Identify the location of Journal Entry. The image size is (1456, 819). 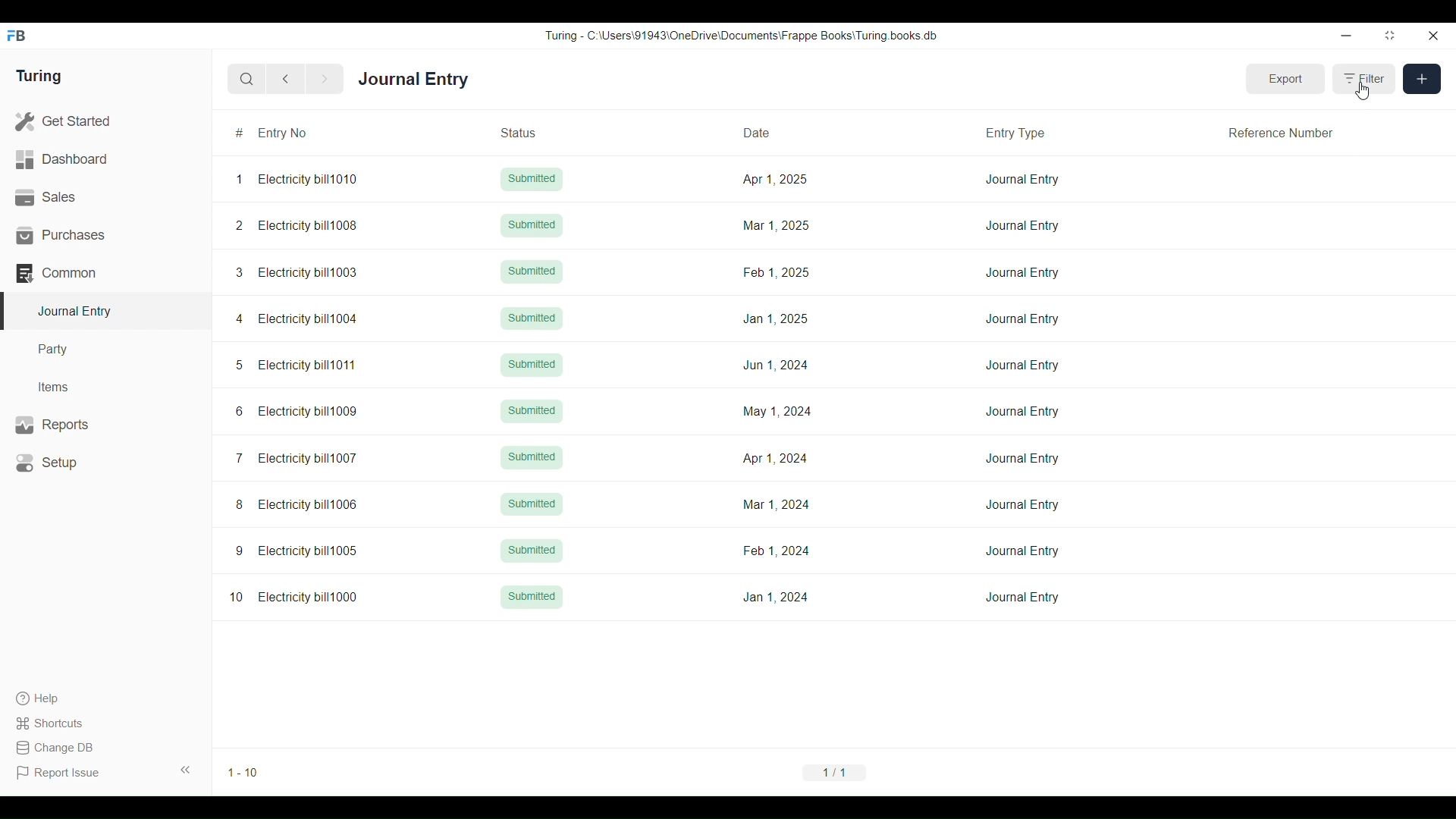
(1024, 272).